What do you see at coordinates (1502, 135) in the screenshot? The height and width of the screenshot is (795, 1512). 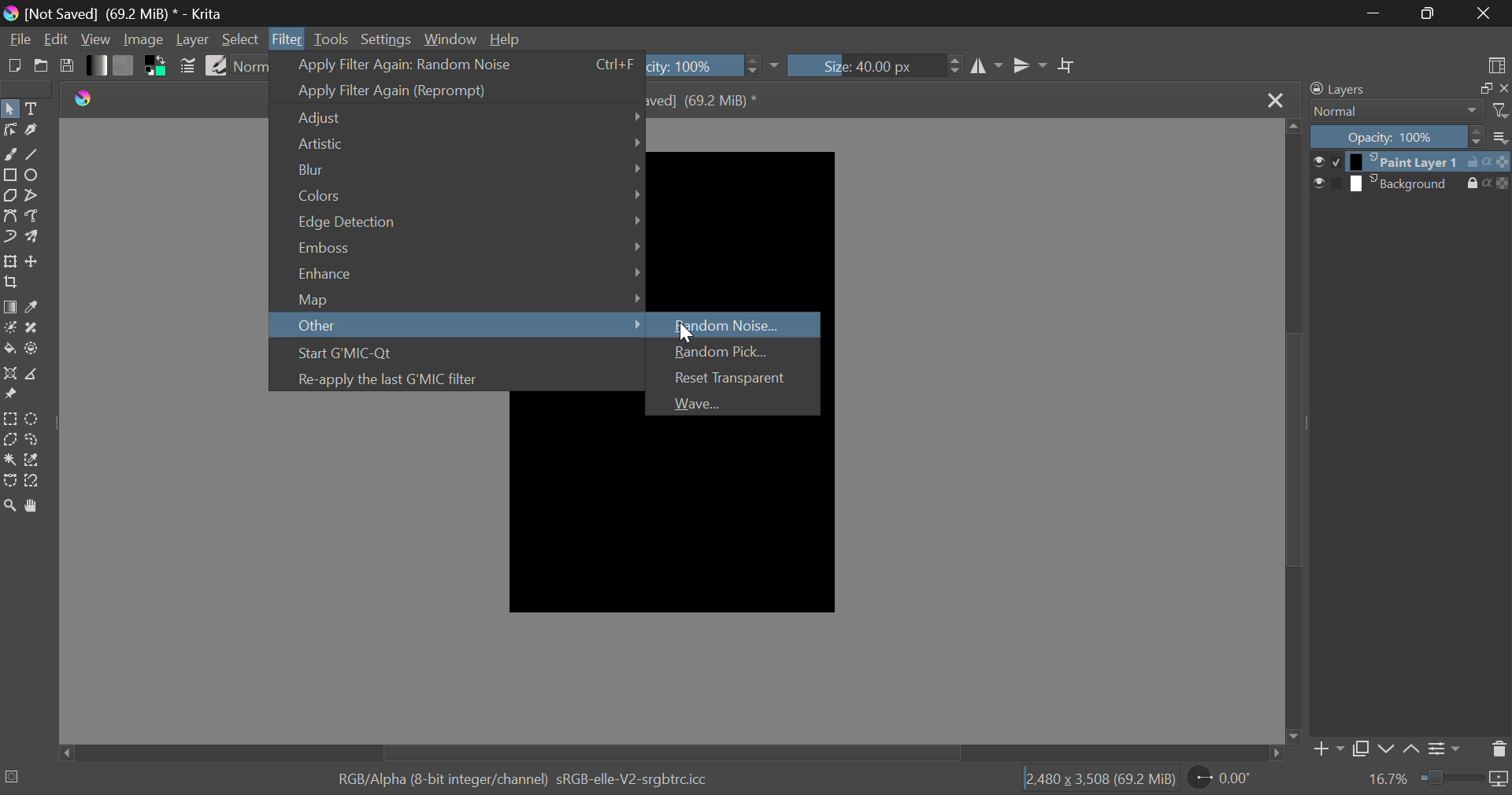 I see `options` at bounding box center [1502, 135].